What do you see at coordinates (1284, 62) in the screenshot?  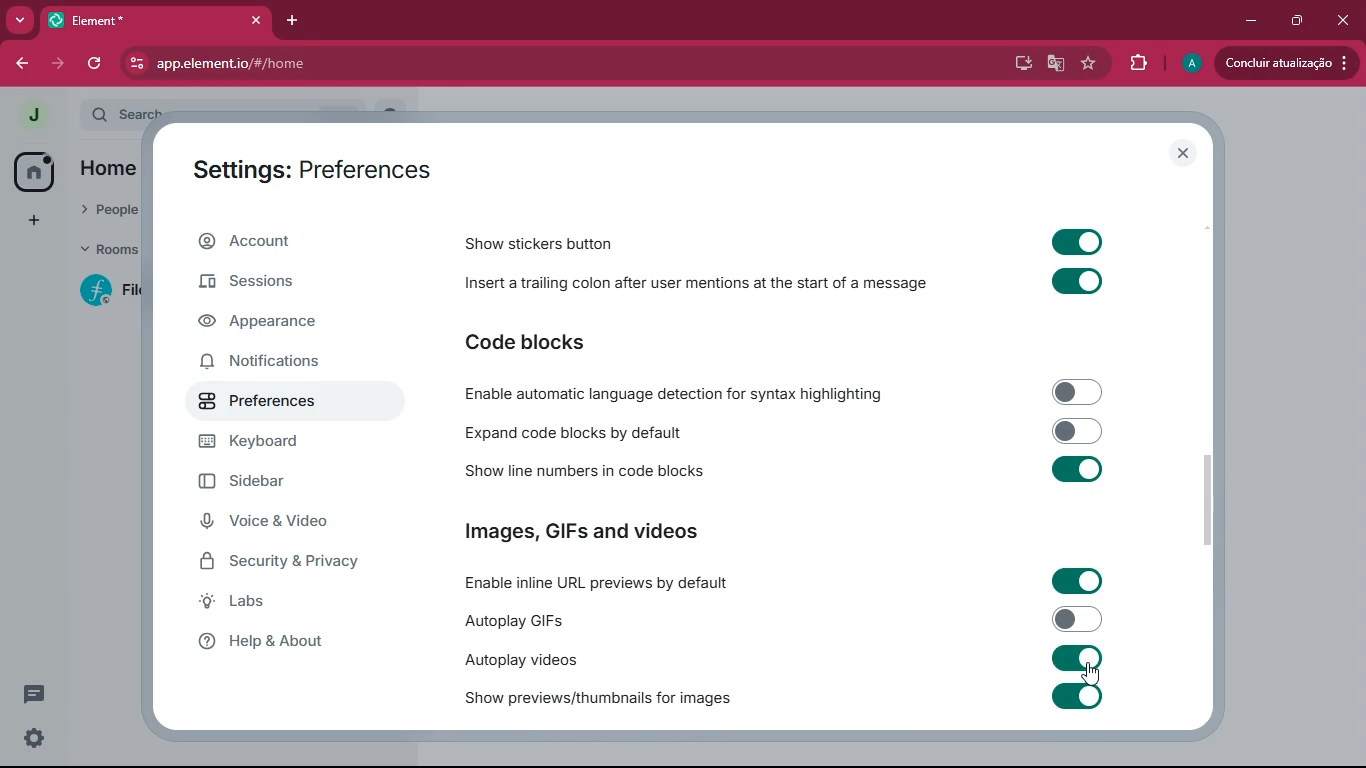 I see `update` at bounding box center [1284, 62].